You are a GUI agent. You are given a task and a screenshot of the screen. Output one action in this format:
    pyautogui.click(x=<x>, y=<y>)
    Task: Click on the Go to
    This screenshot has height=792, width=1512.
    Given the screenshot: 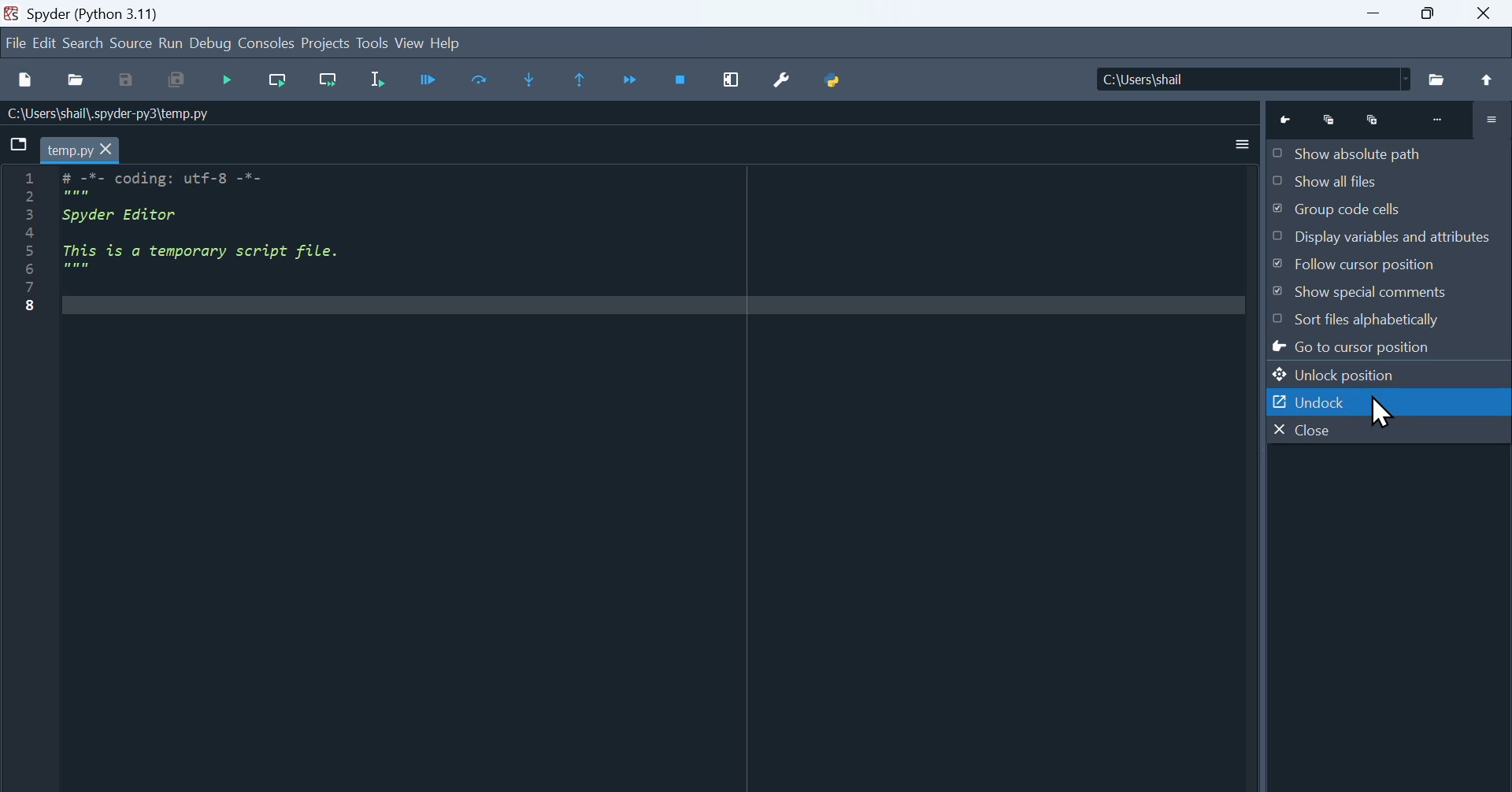 What is the action you would take?
    pyautogui.click(x=1288, y=121)
    